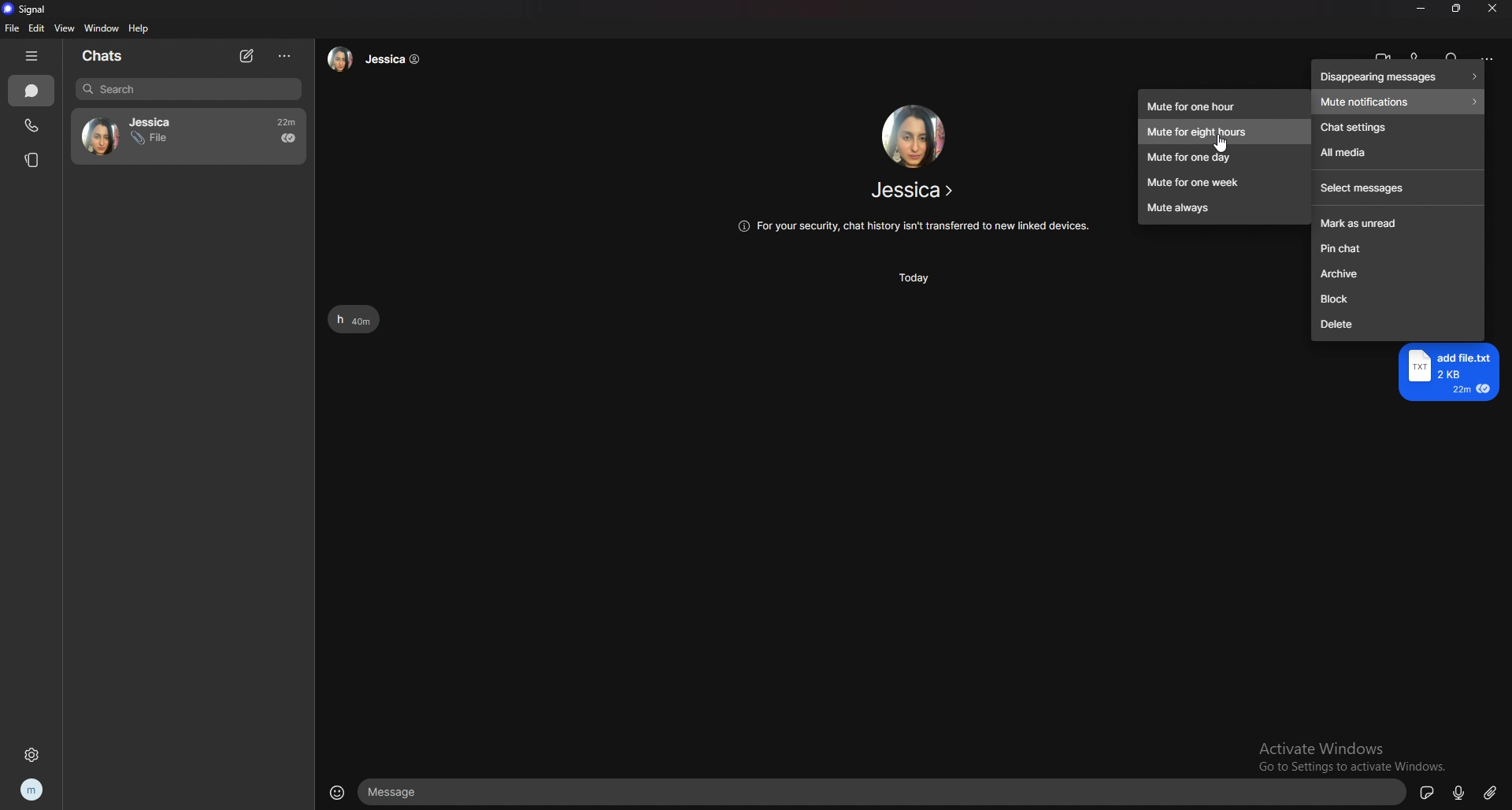 Image resolution: width=1512 pixels, height=810 pixels. I want to click on mute for one day, so click(1227, 159).